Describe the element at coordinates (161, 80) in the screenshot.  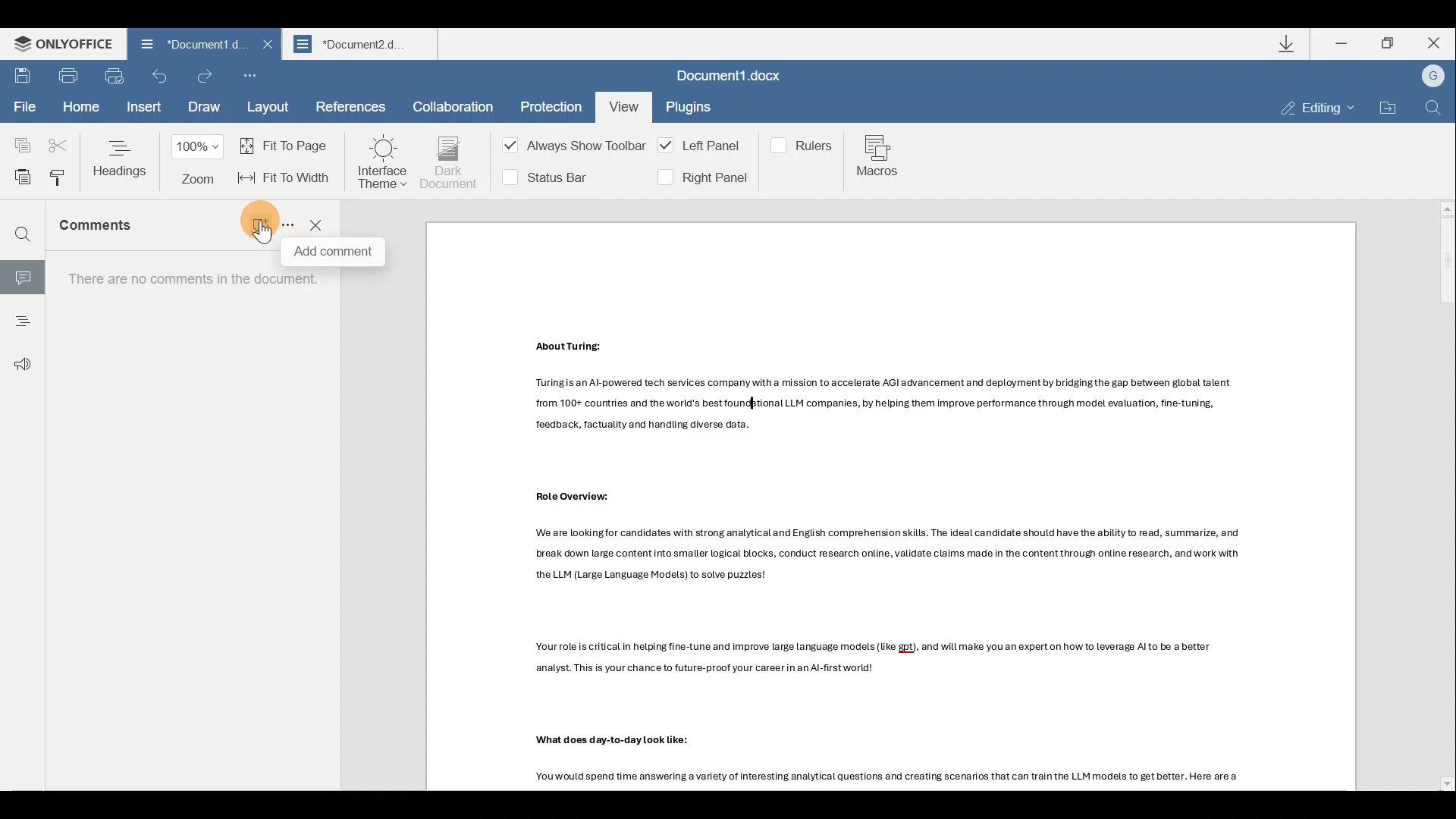
I see `Undo` at that location.